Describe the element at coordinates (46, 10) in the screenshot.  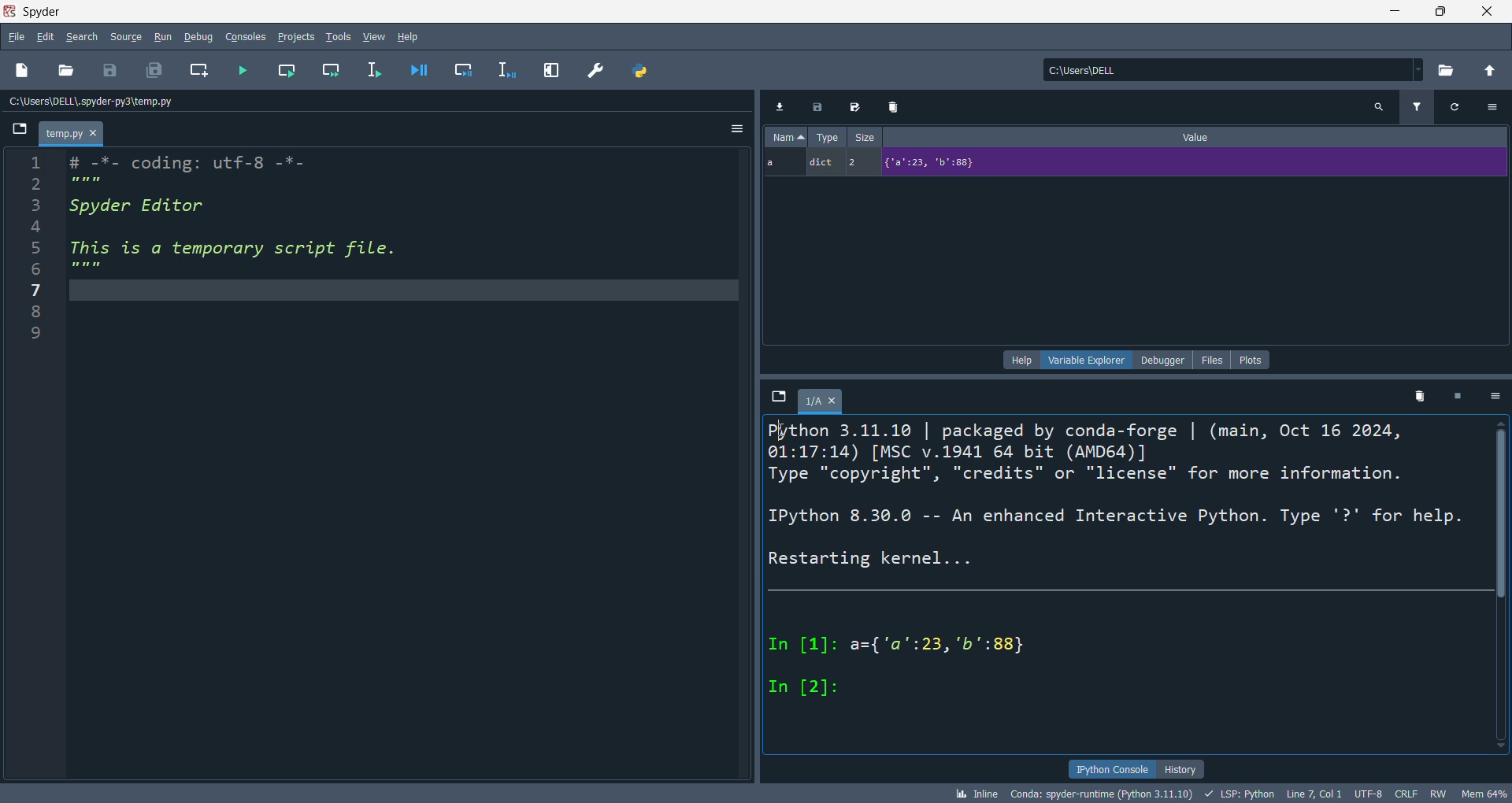
I see `spyder` at that location.